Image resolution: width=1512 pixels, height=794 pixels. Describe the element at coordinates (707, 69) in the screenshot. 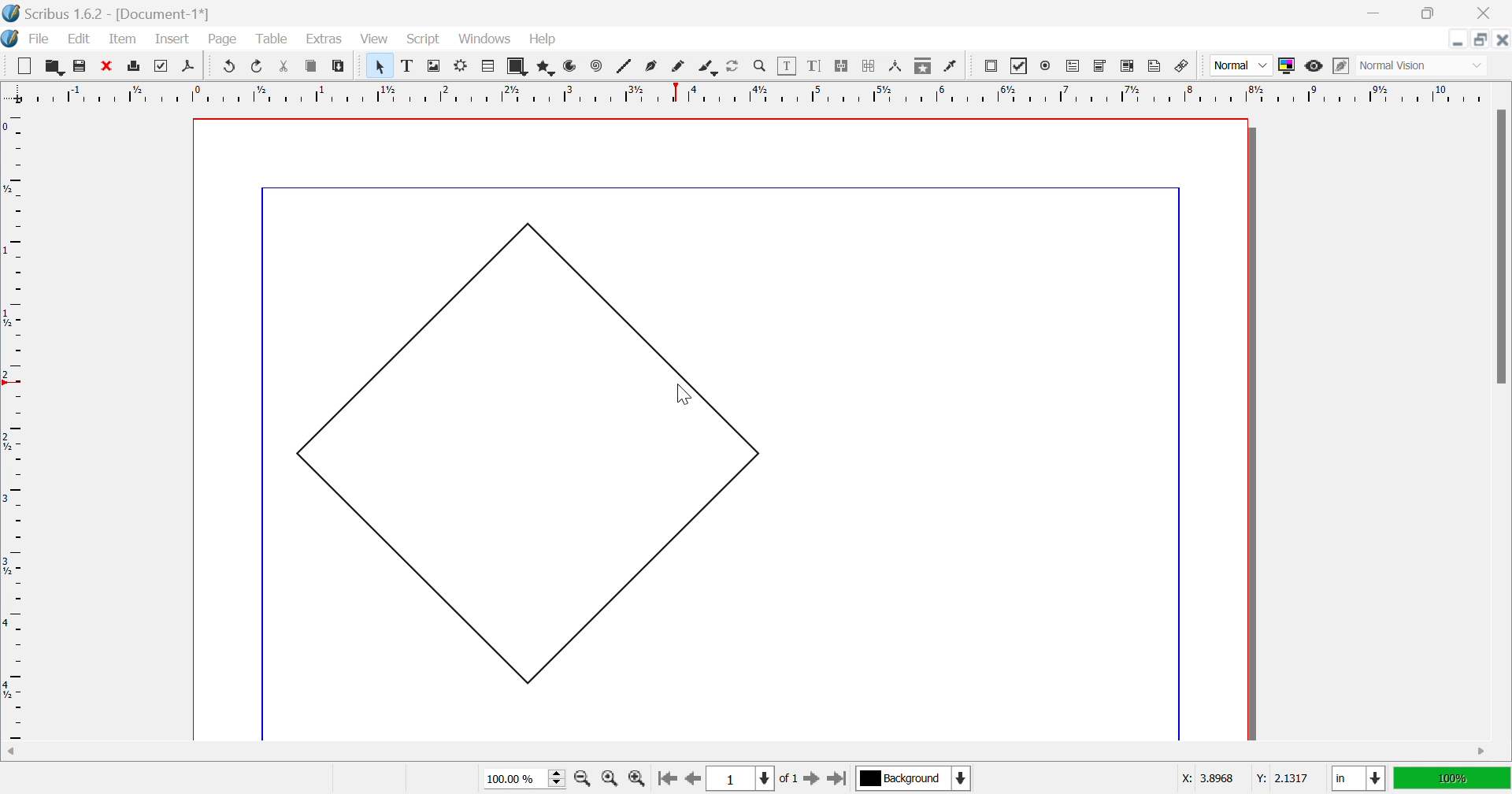

I see `Calligraphic line` at that location.